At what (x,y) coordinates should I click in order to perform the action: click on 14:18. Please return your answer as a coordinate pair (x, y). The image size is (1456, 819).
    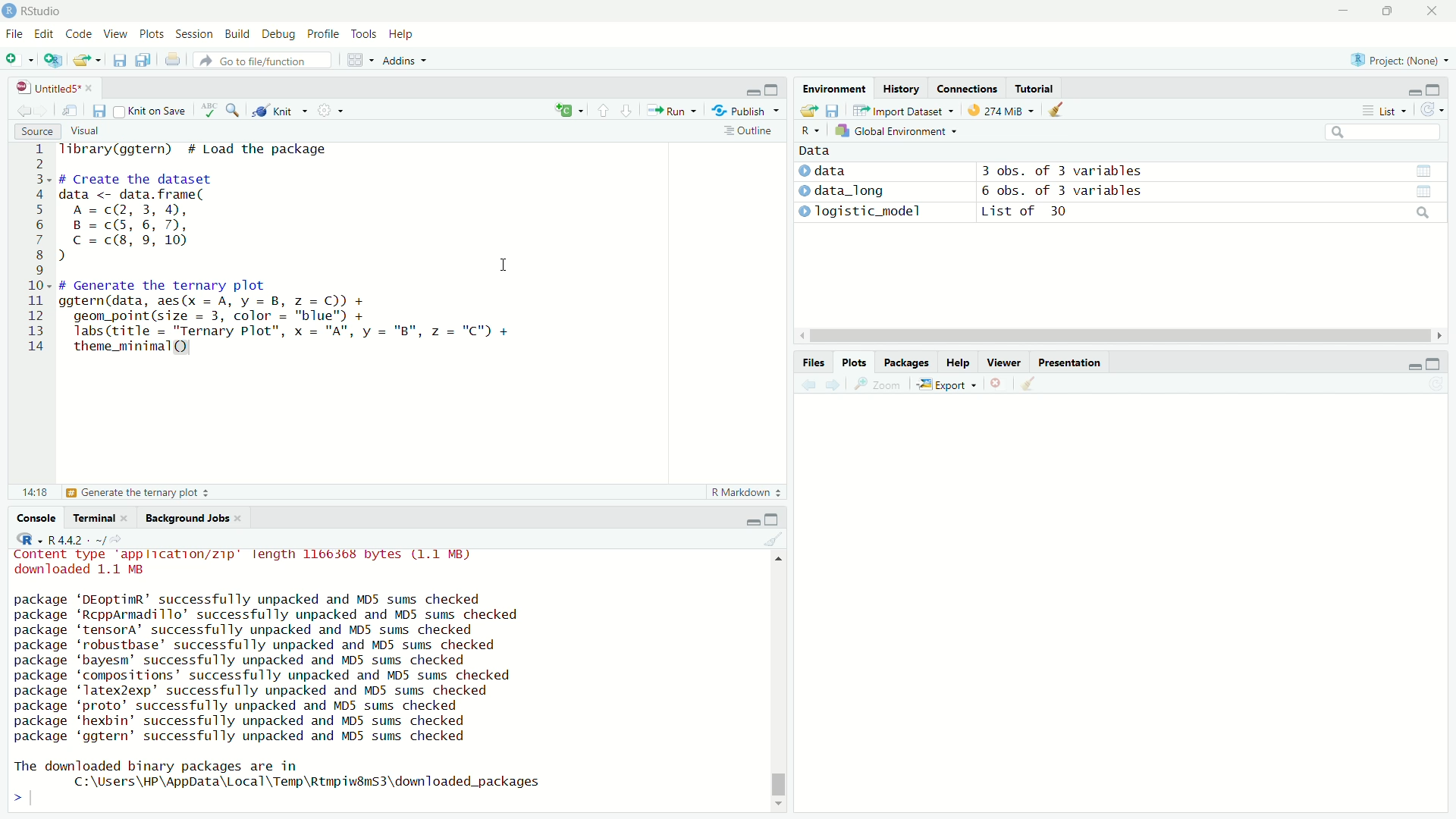
    Looking at the image, I should click on (33, 491).